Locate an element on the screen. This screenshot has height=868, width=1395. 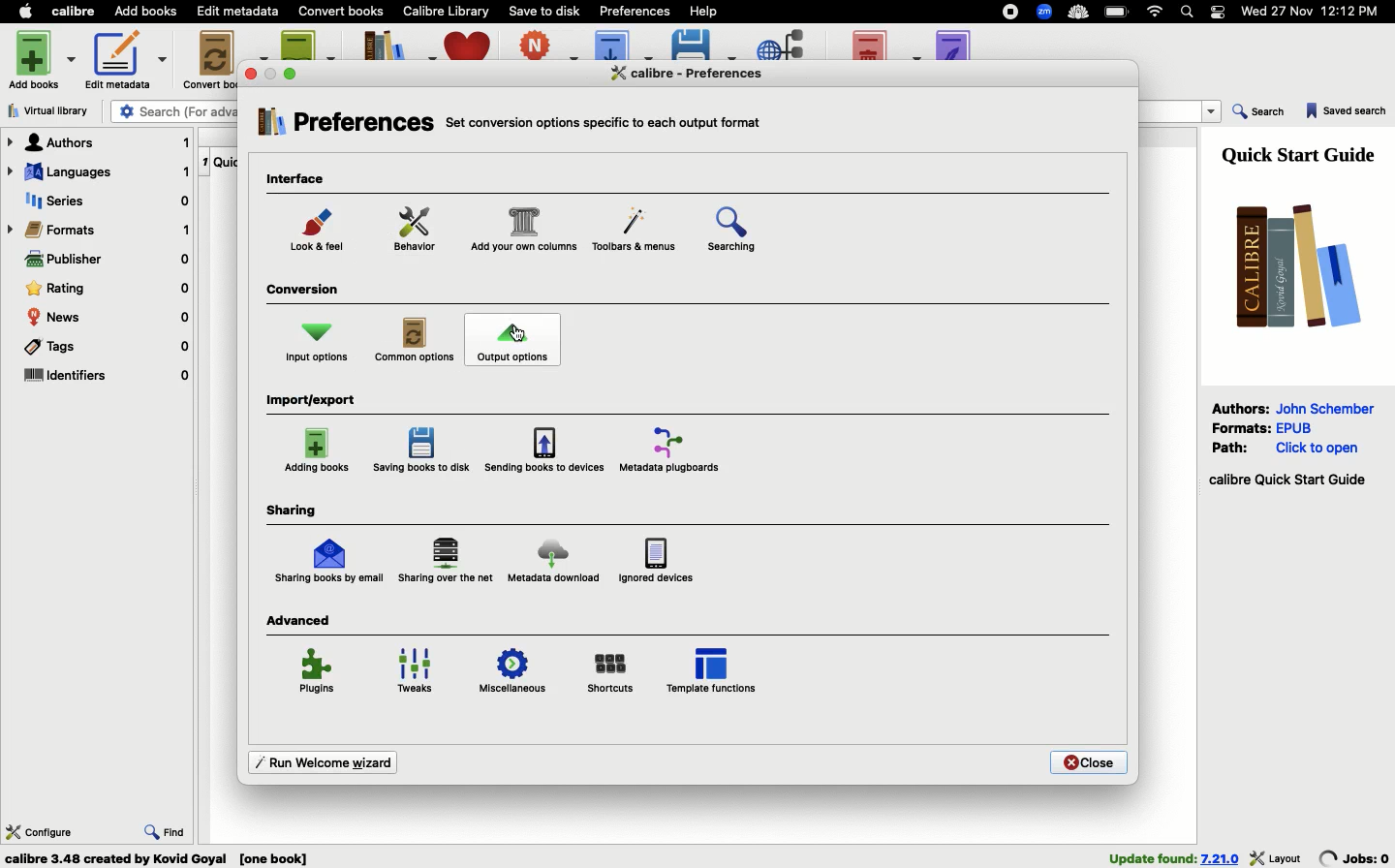
Path is located at coordinates (1233, 447).